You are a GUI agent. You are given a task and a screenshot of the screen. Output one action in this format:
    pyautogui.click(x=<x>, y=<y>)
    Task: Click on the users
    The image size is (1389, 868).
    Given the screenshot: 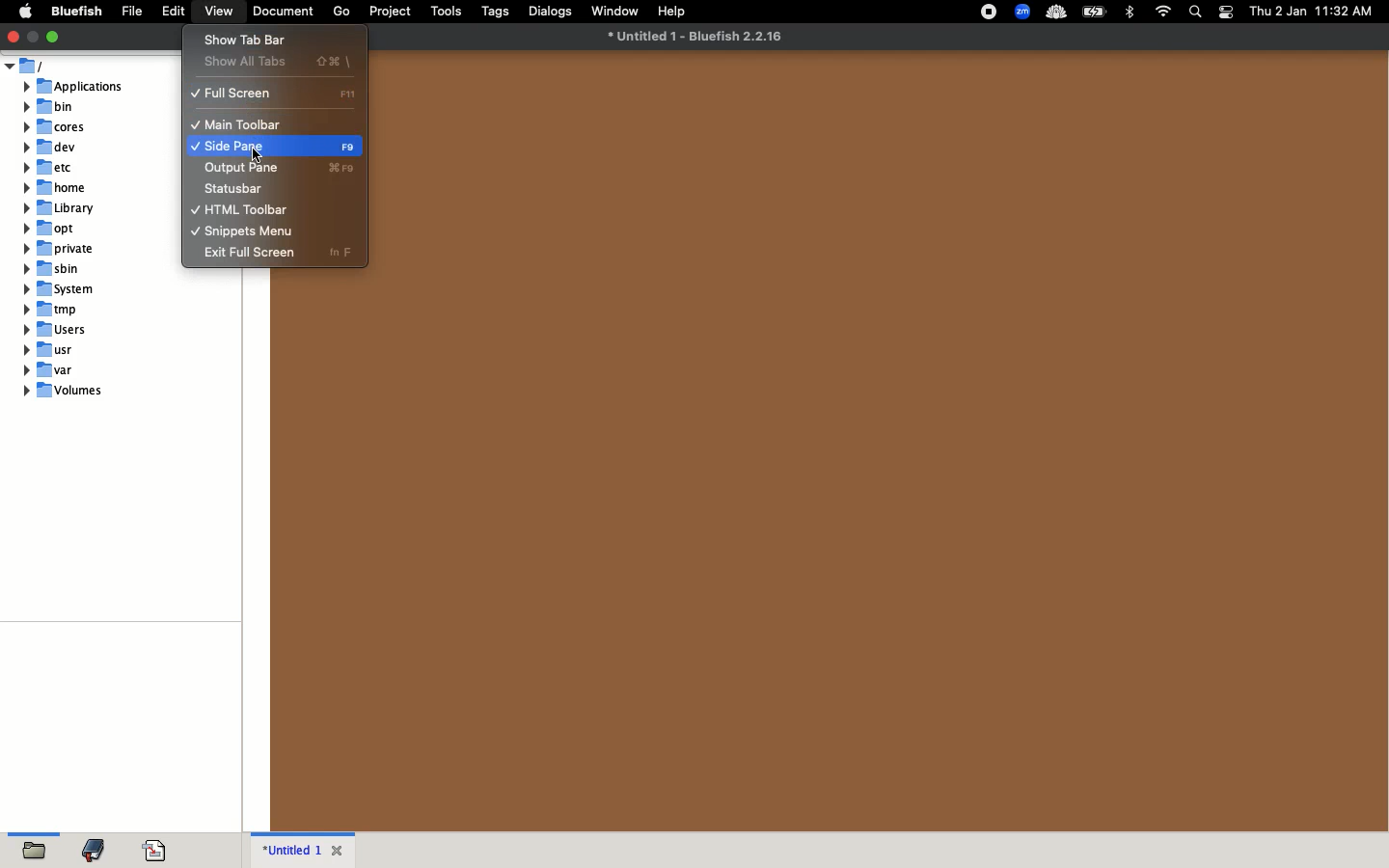 What is the action you would take?
    pyautogui.click(x=29, y=66)
    